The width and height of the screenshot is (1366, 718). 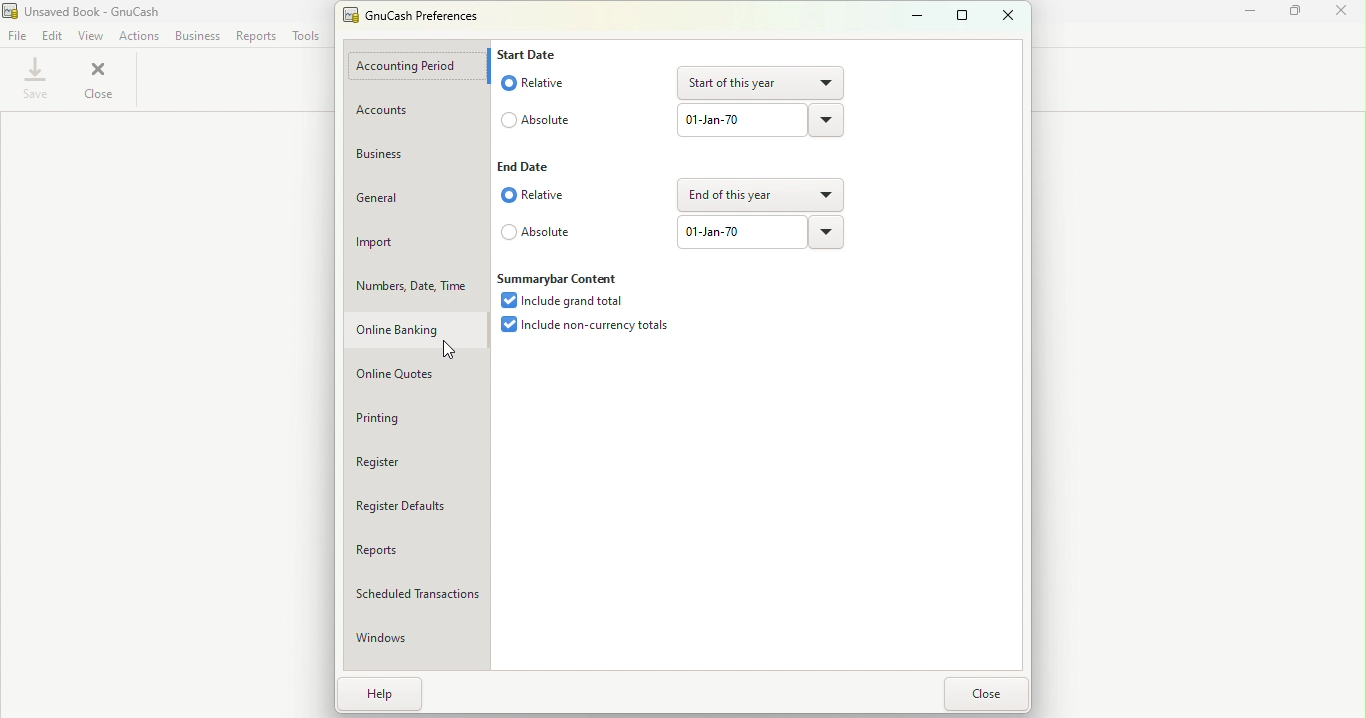 What do you see at coordinates (411, 287) in the screenshot?
I see `Numbers, date, time` at bounding box center [411, 287].